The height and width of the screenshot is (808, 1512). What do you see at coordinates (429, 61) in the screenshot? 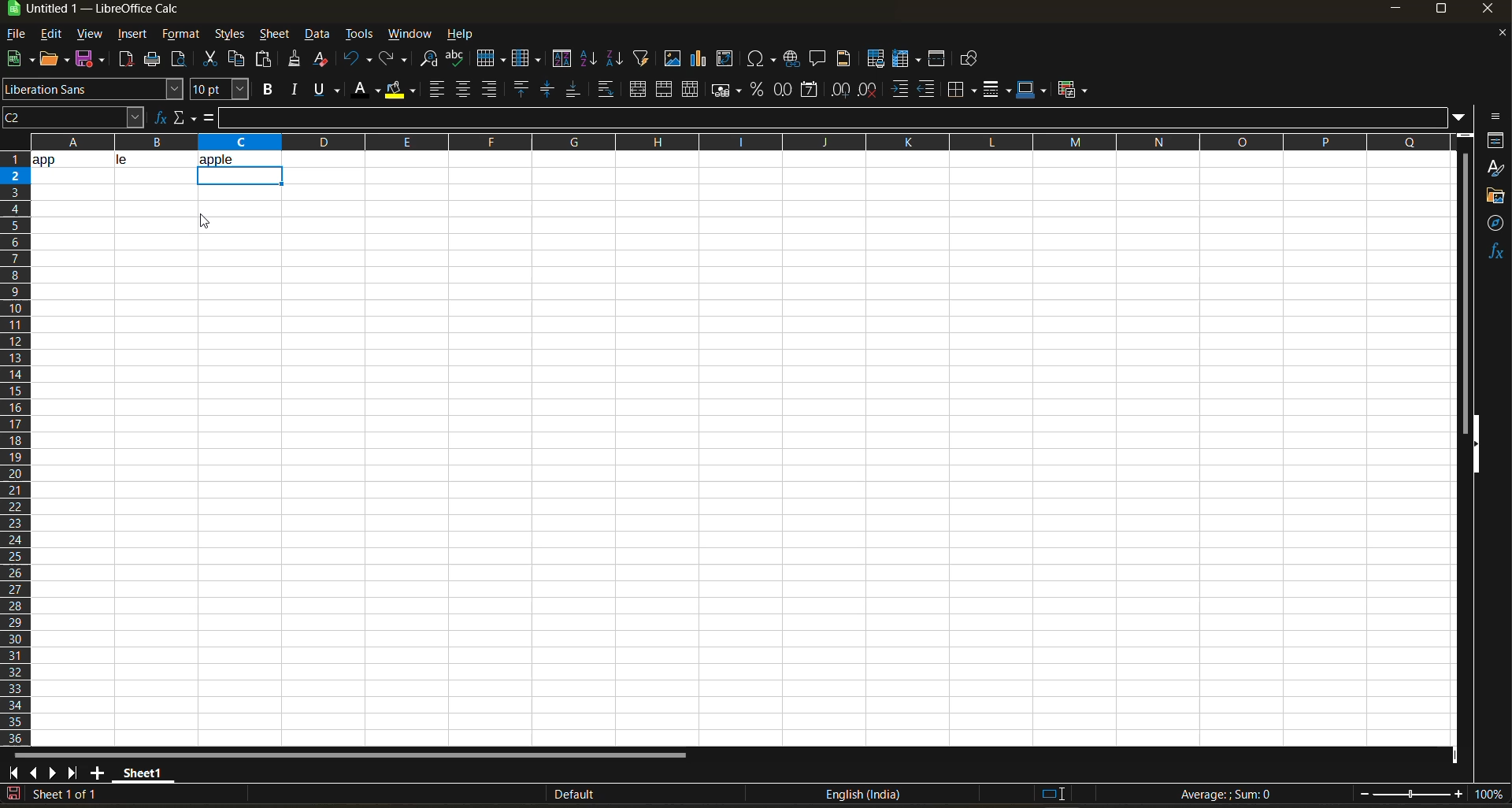
I see `find and replace` at bounding box center [429, 61].